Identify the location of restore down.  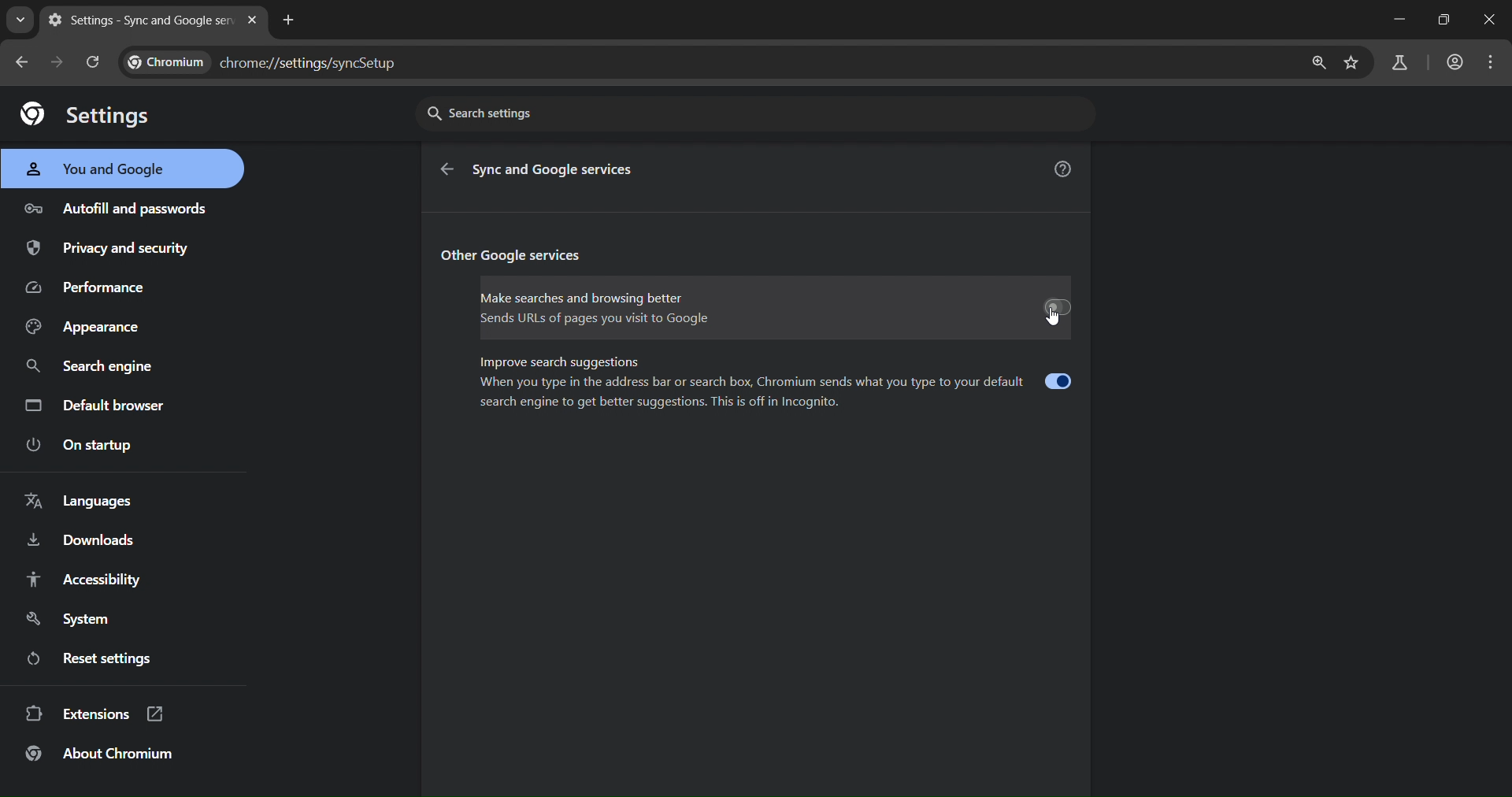
(1442, 20).